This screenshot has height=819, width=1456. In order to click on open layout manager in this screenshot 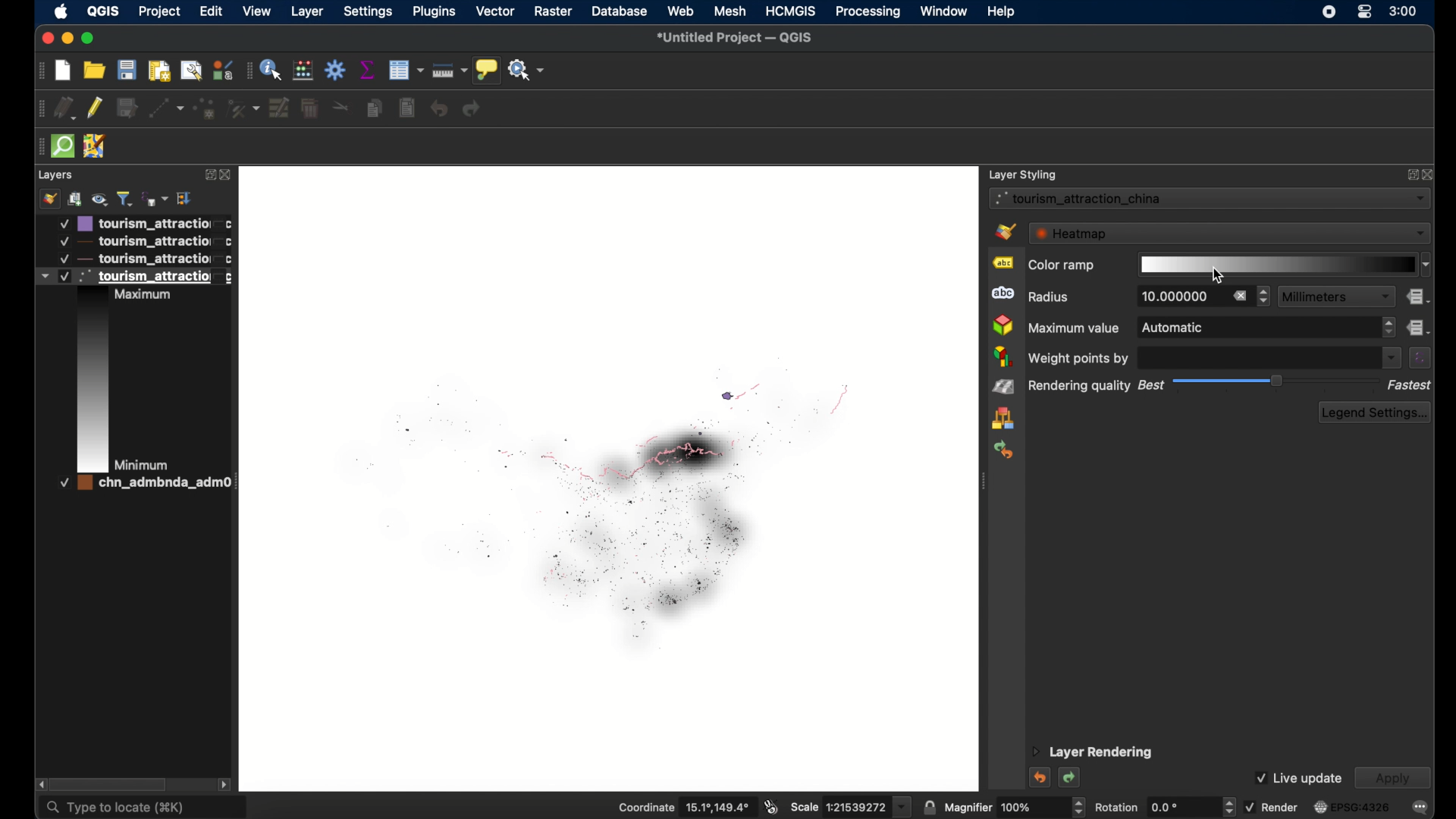, I will do `click(191, 71)`.